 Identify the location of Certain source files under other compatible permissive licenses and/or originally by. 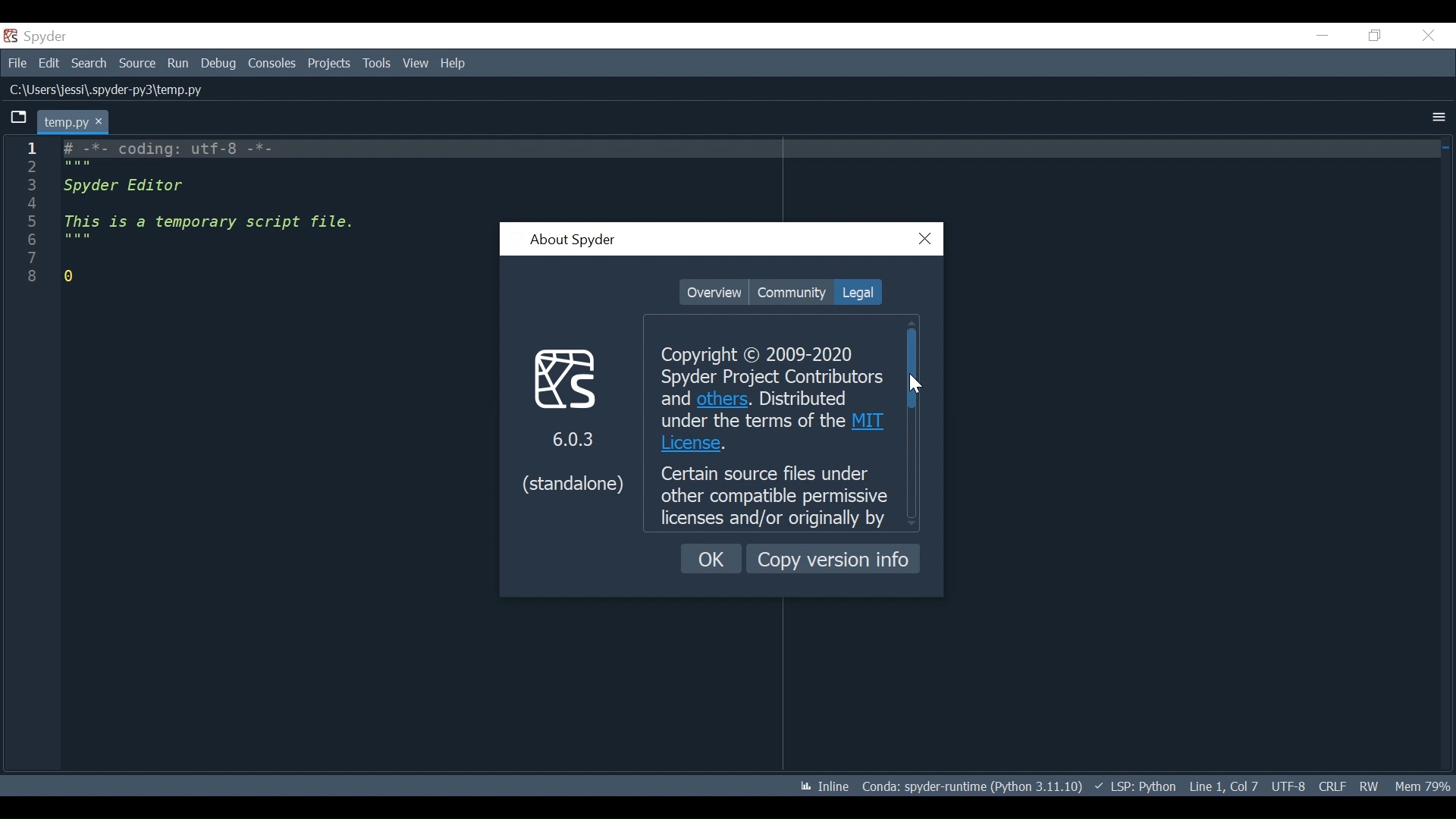
(775, 496).